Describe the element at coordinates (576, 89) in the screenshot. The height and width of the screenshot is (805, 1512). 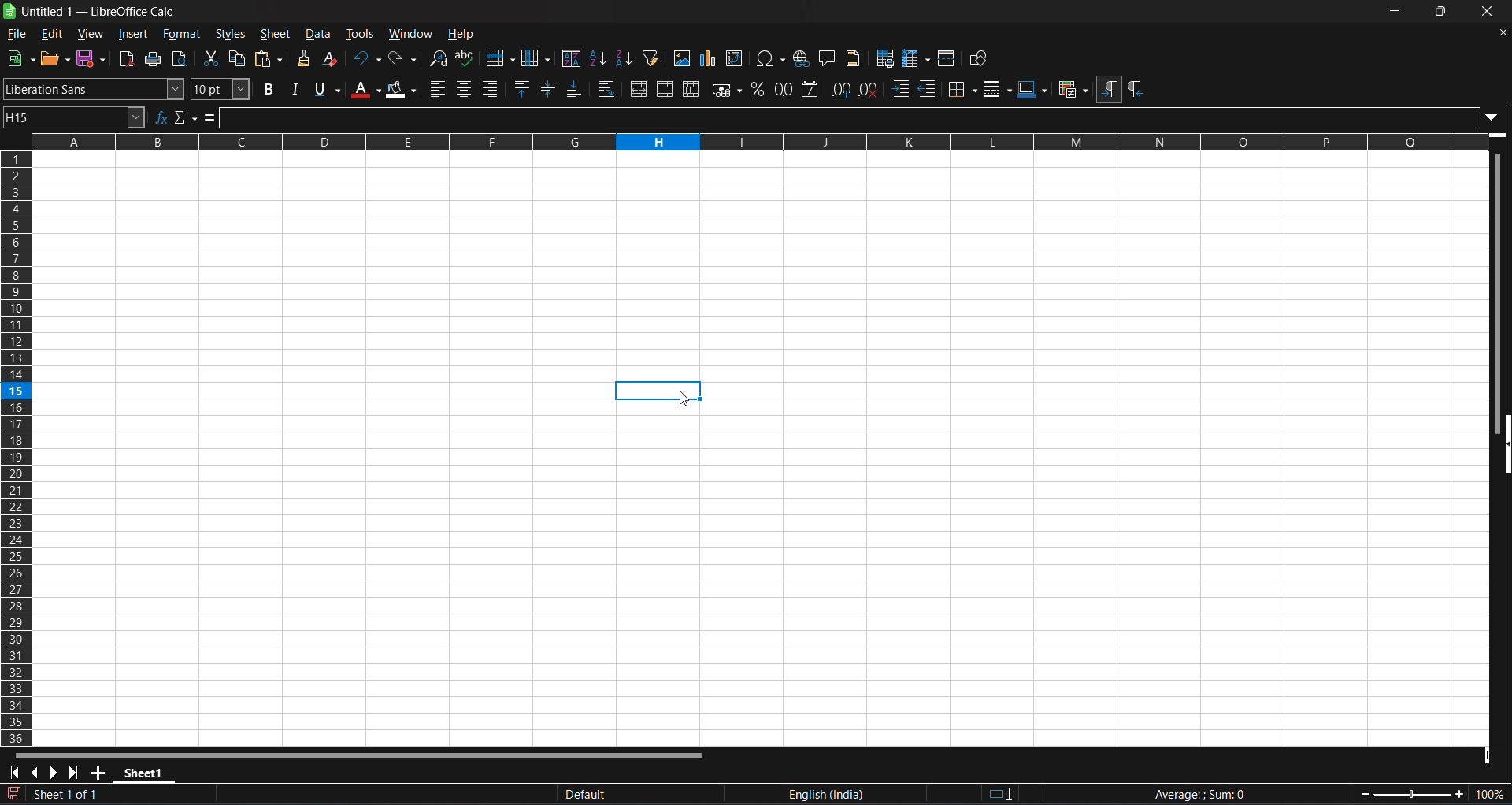
I see `align bottom` at that location.